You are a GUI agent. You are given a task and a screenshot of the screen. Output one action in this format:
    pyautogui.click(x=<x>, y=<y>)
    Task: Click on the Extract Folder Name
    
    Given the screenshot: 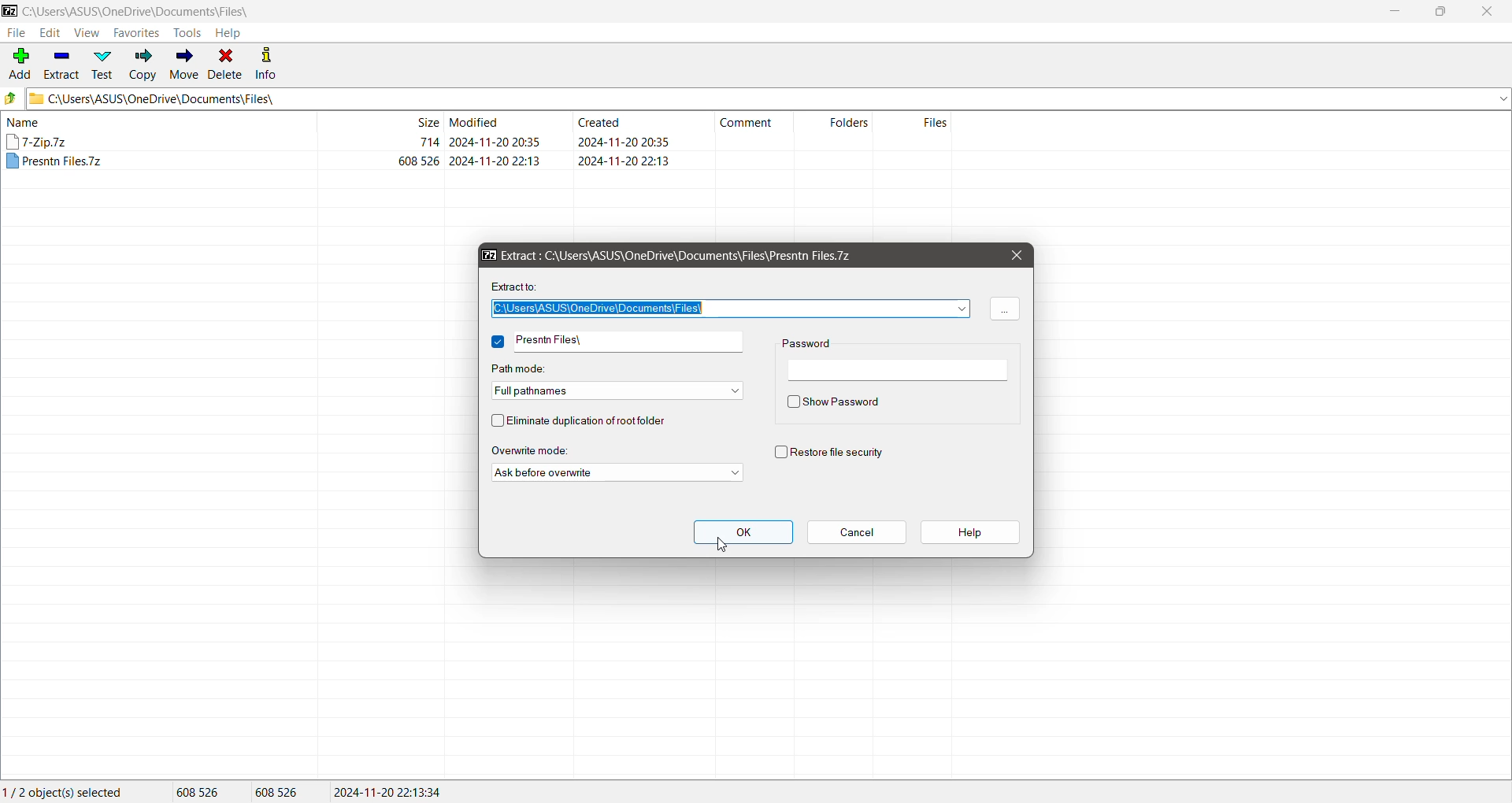 What is the action you would take?
    pyautogui.click(x=629, y=342)
    